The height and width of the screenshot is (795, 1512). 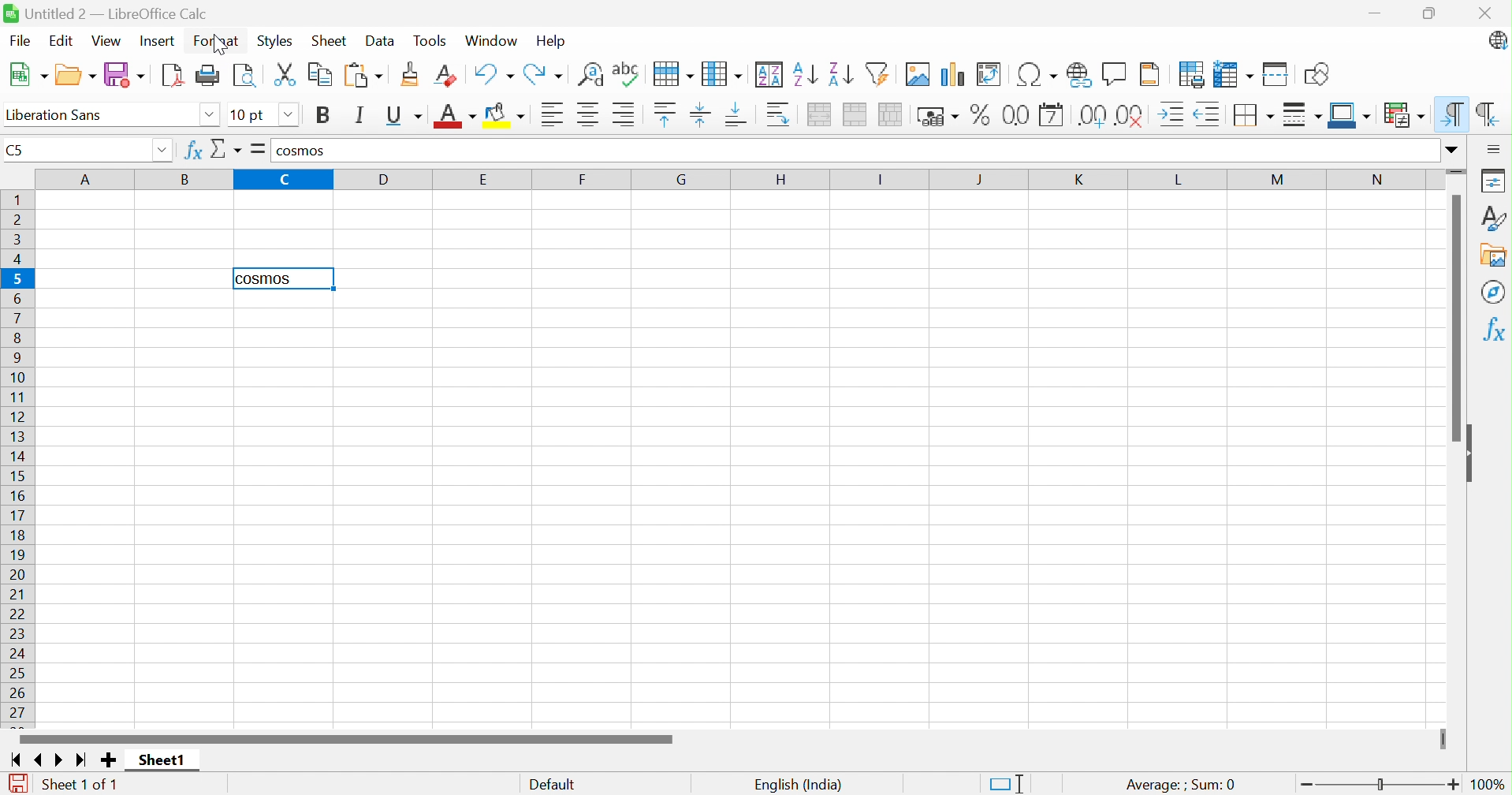 I want to click on Format as percent, so click(x=980, y=114).